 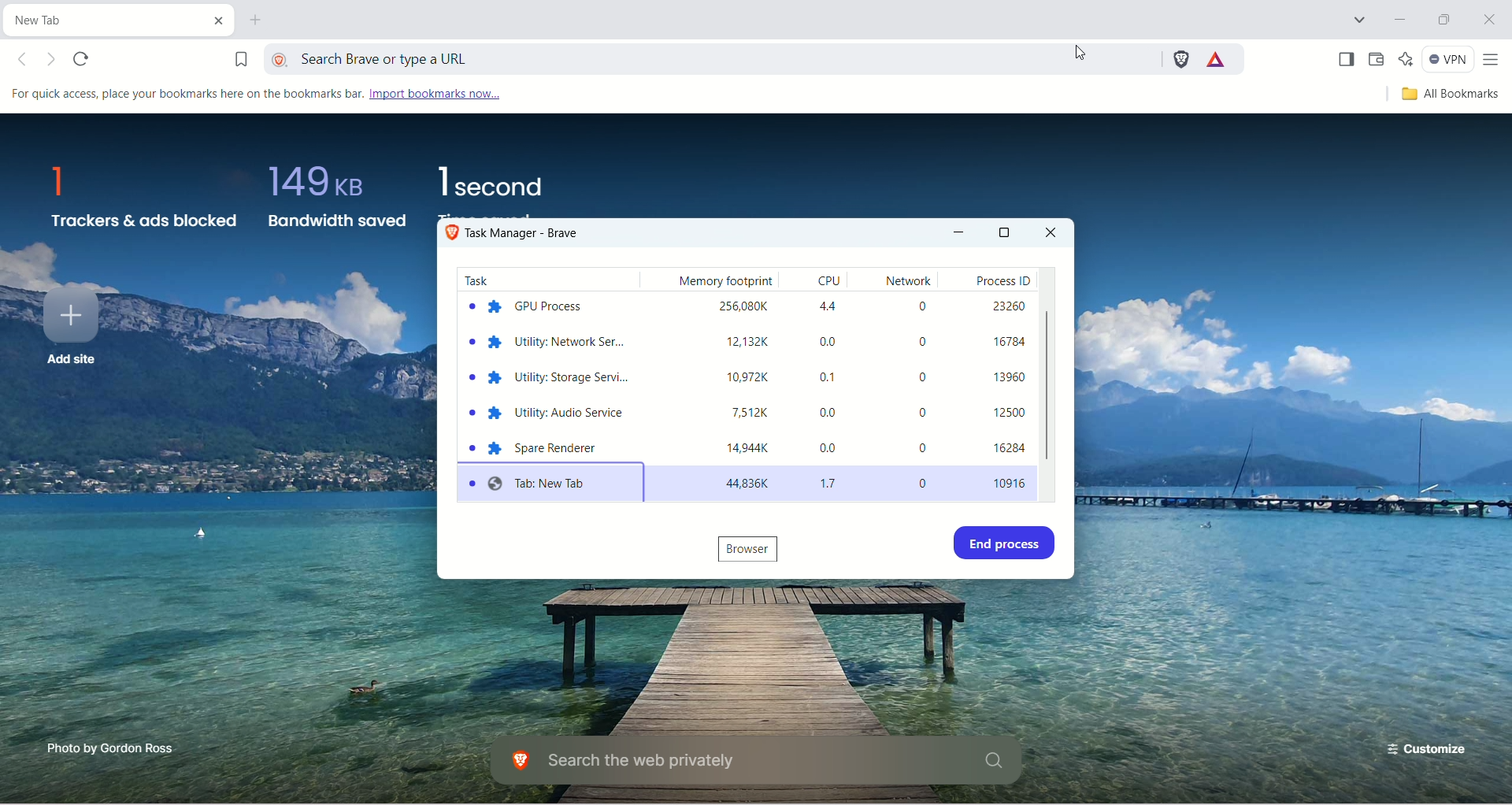 What do you see at coordinates (69, 331) in the screenshot?
I see `add site` at bounding box center [69, 331].